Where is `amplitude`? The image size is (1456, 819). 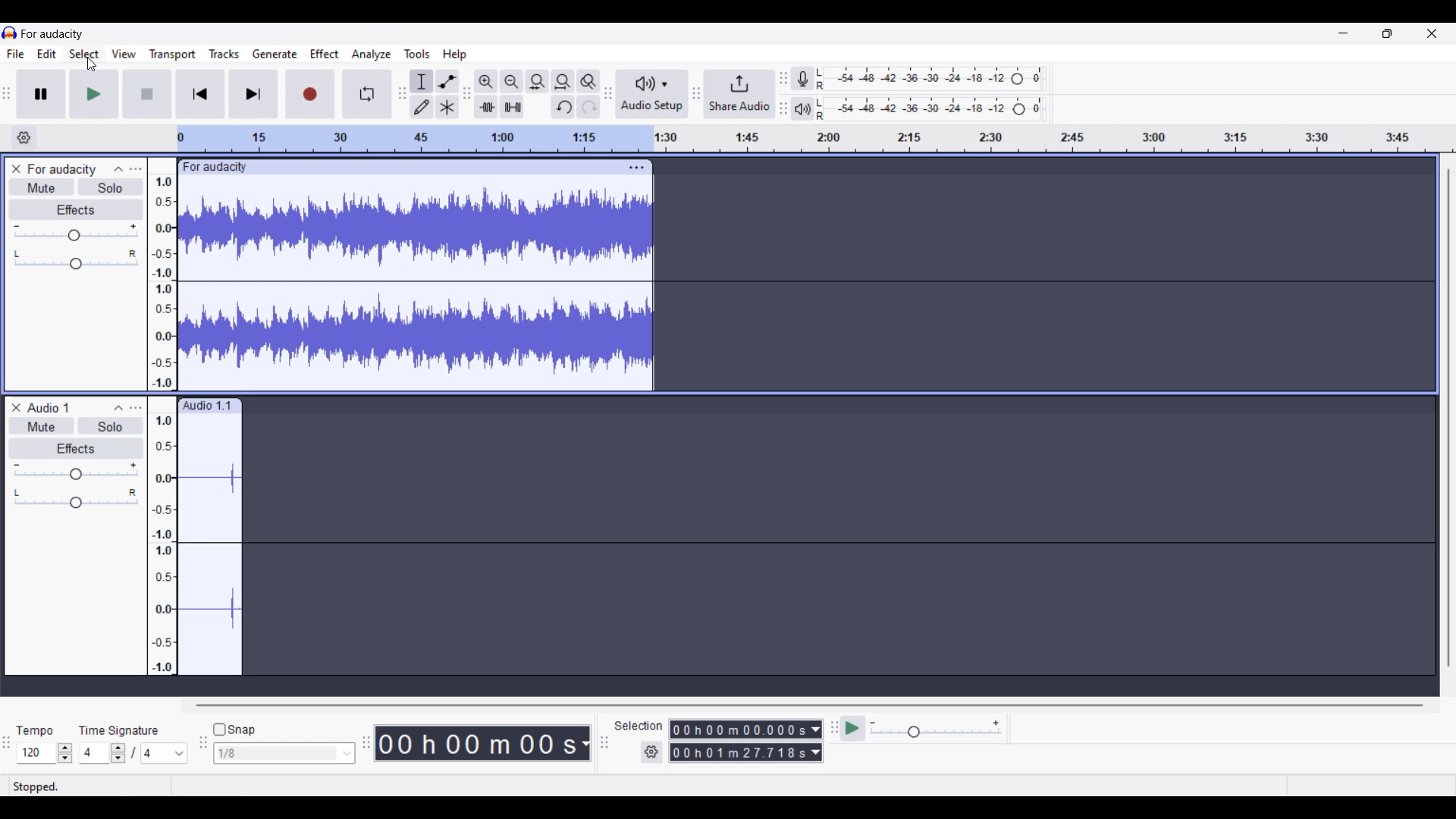
amplitude is located at coordinates (162, 275).